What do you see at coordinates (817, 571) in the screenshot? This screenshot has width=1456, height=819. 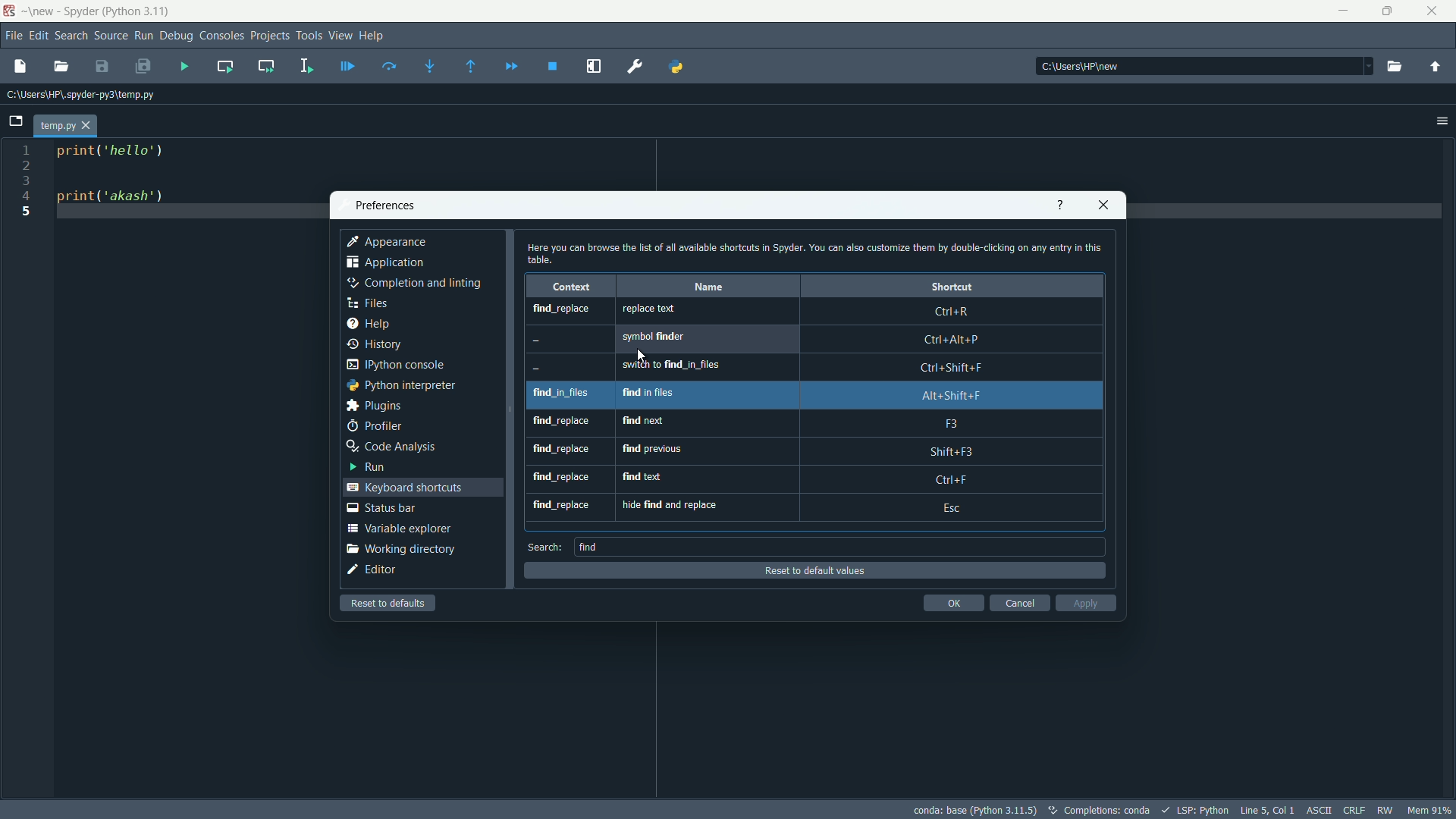 I see `reset to default values` at bounding box center [817, 571].